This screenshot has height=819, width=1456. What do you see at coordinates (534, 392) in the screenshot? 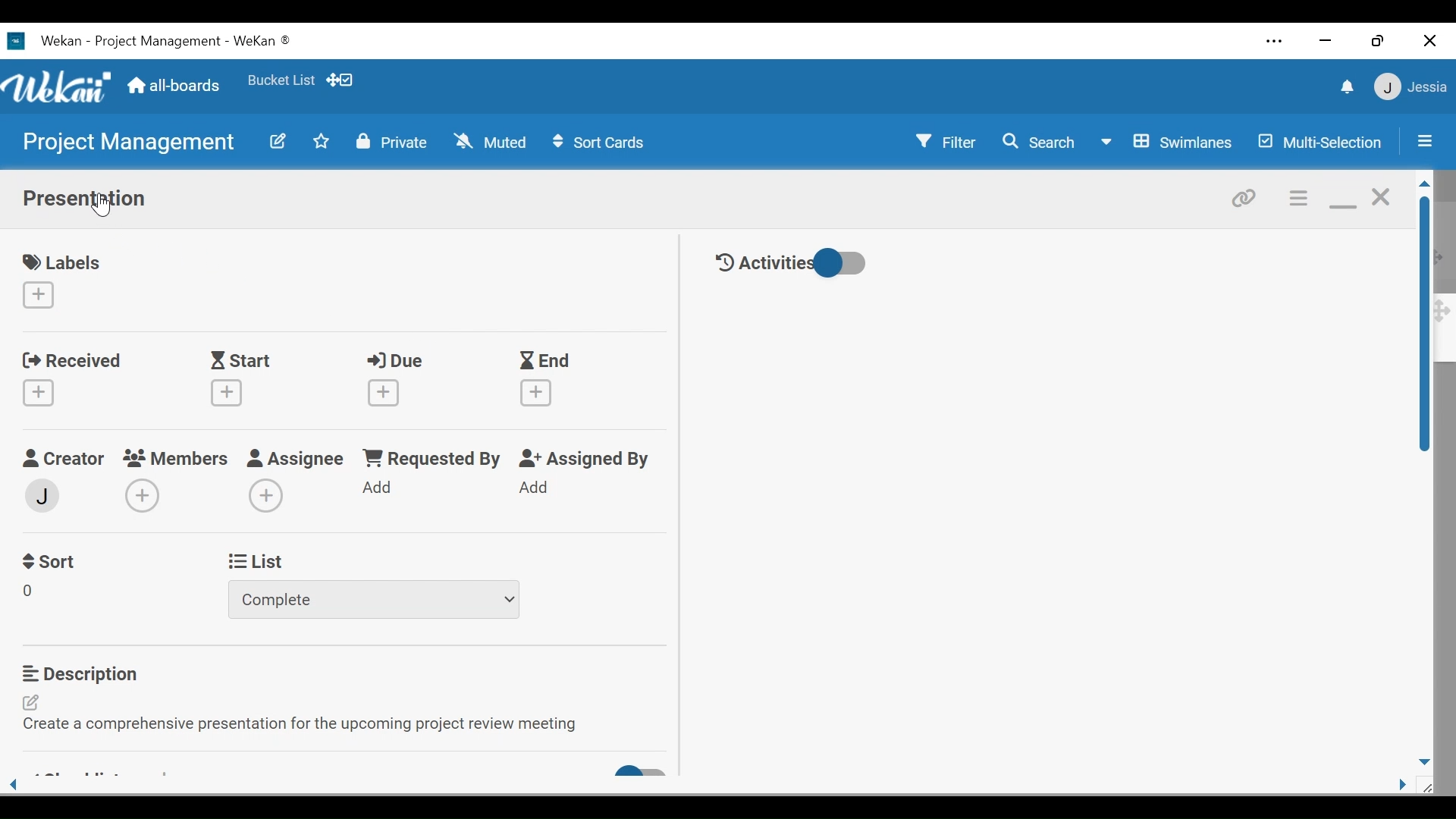
I see `Create End Date` at bounding box center [534, 392].